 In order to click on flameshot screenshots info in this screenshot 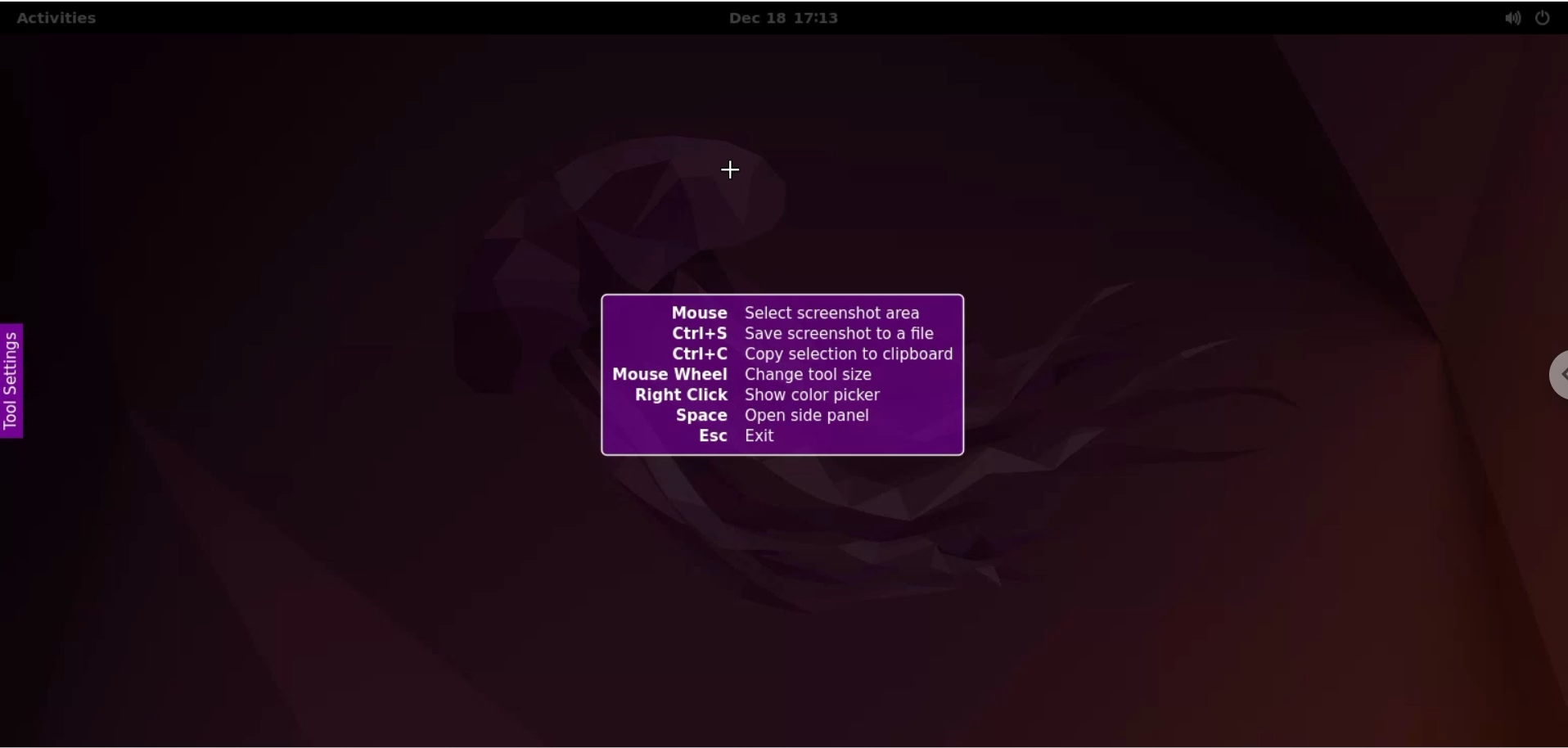, I will do `click(781, 375)`.